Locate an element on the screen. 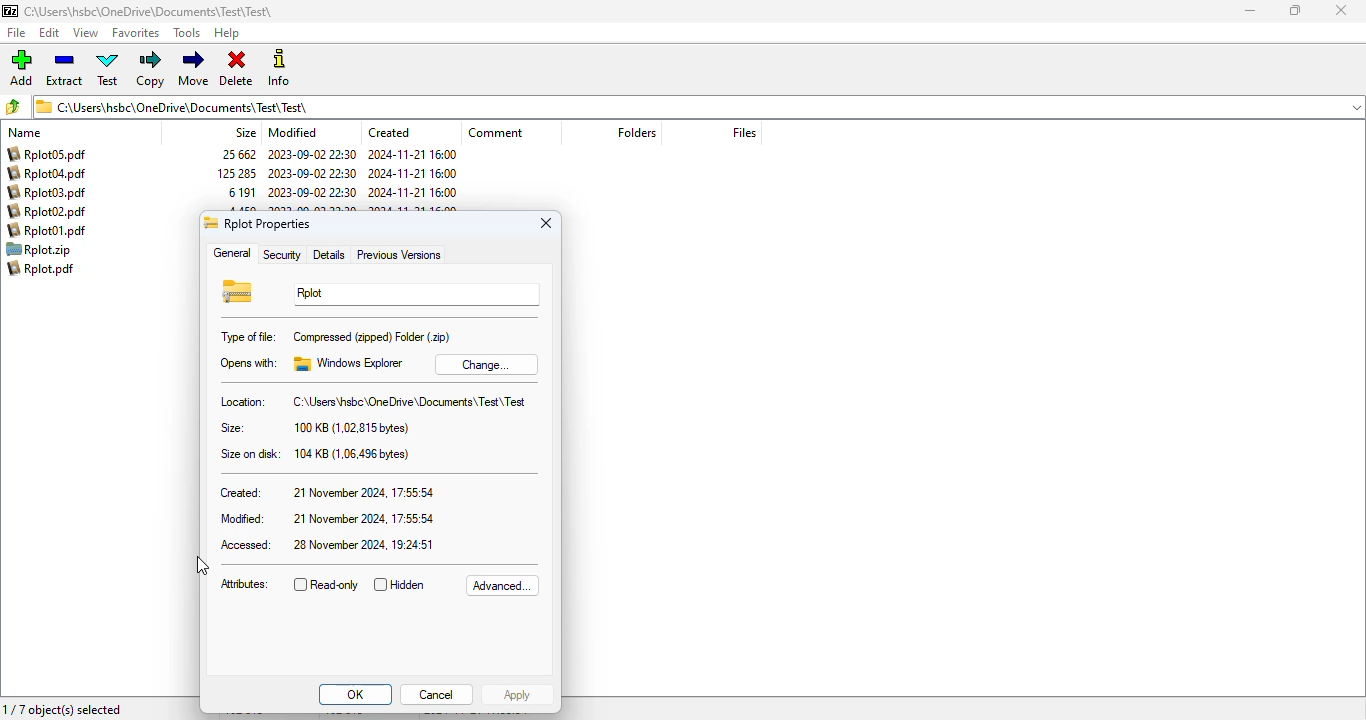 The height and width of the screenshot is (720, 1366). security is located at coordinates (282, 255).